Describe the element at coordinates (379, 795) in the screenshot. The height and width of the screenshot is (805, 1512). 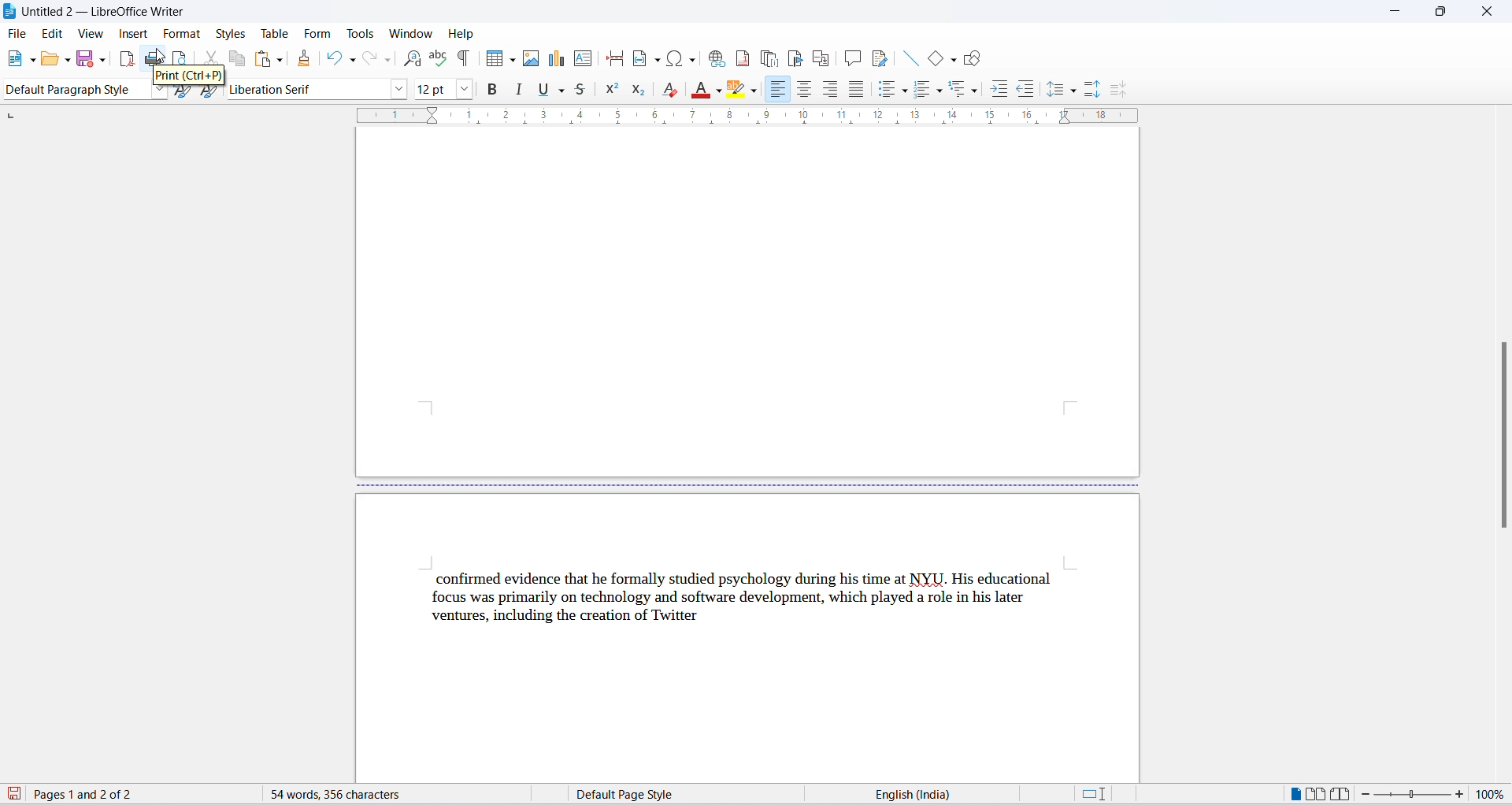
I see `54 words, 356 characters` at that location.